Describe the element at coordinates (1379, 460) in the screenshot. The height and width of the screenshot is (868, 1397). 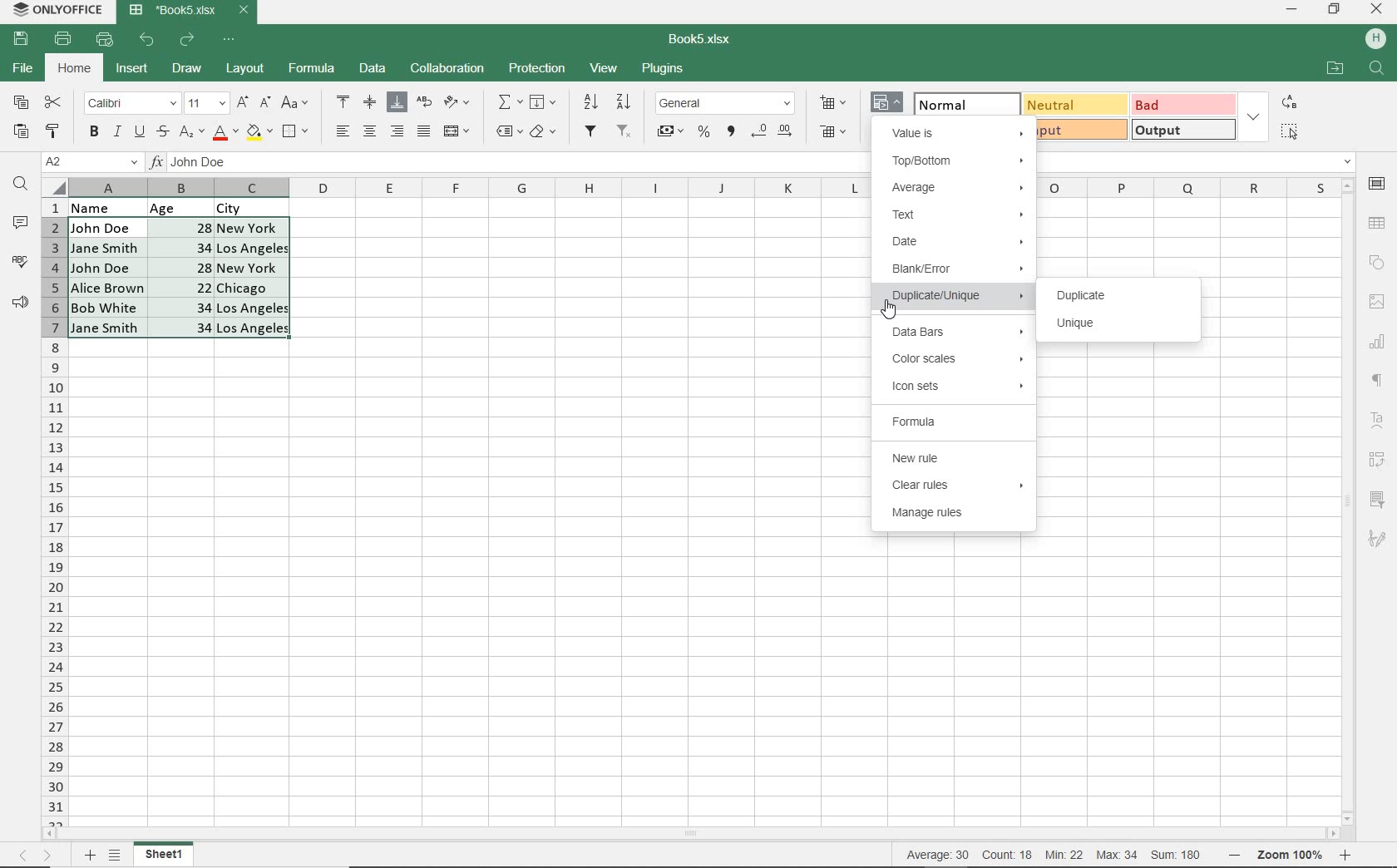
I see `PIVOT TABLE` at that location.